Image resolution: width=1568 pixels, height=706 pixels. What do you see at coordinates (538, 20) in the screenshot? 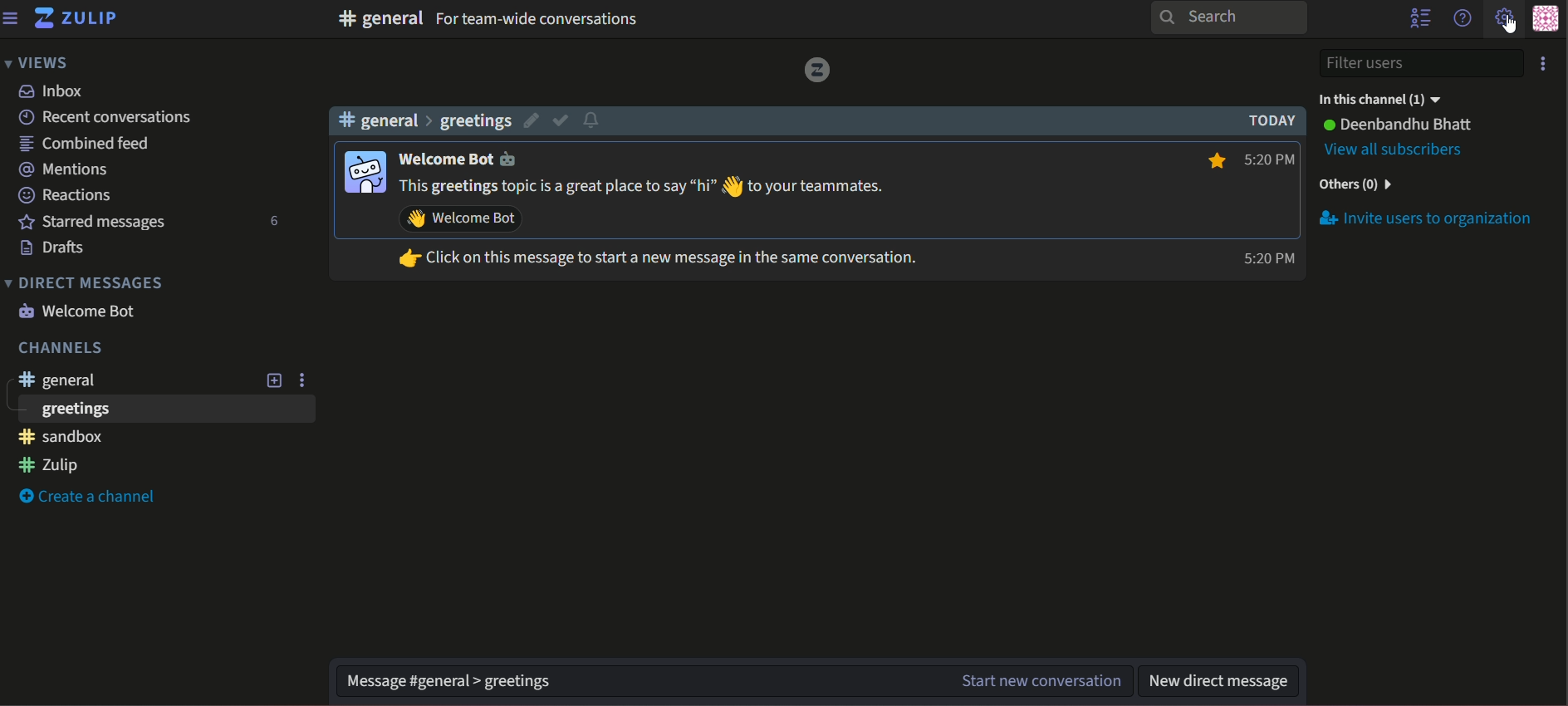
I see `text` at bounding box center [538, 20].